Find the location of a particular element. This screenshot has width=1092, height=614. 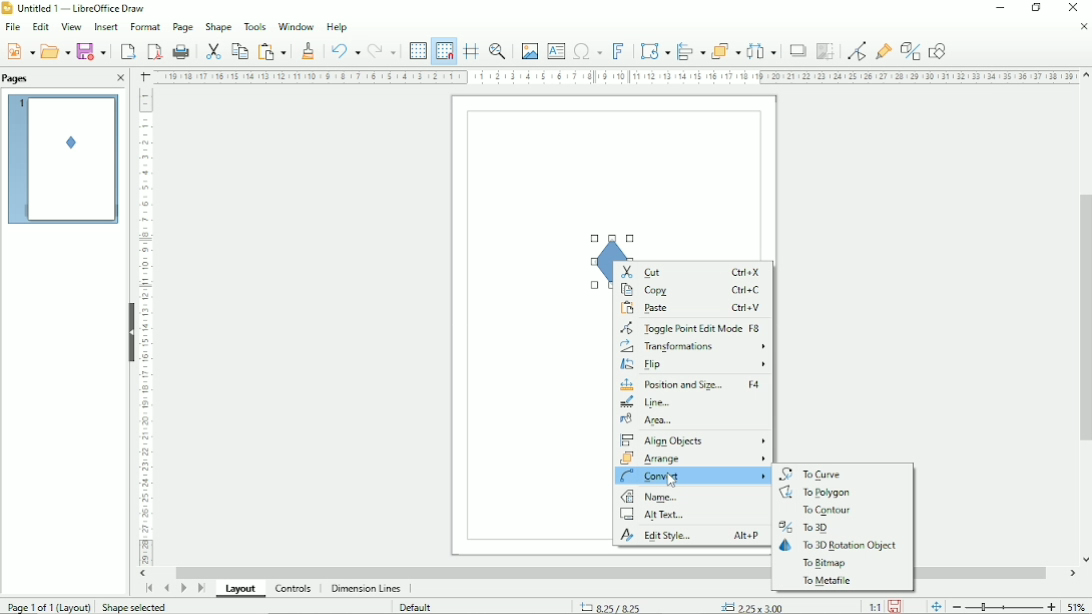

Export directly as PDF is located at coordinates (152, 50).